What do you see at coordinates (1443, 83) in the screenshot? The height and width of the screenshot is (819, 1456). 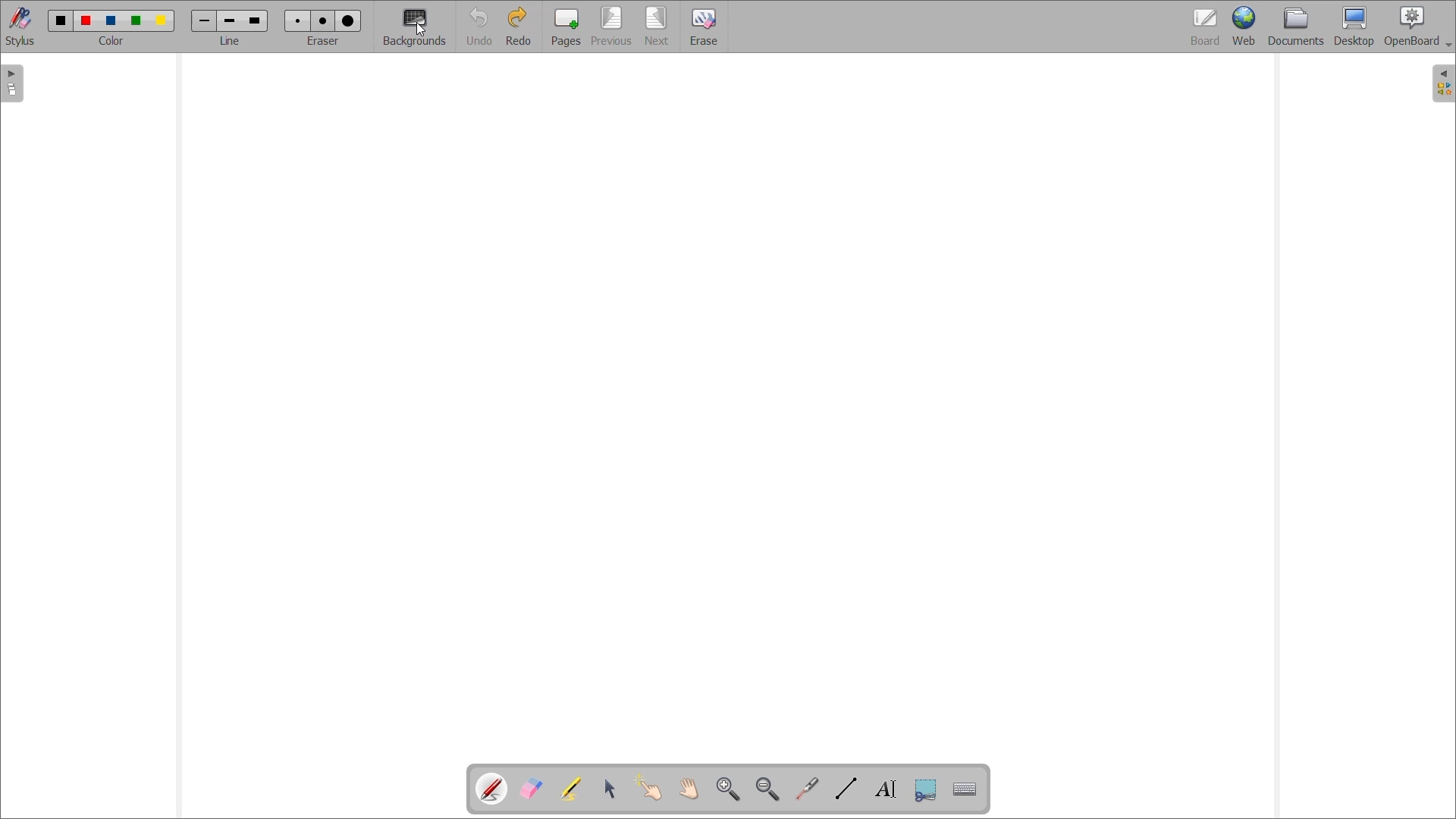 I see `Expand right sidebar` at bounding box center [1443, 83].